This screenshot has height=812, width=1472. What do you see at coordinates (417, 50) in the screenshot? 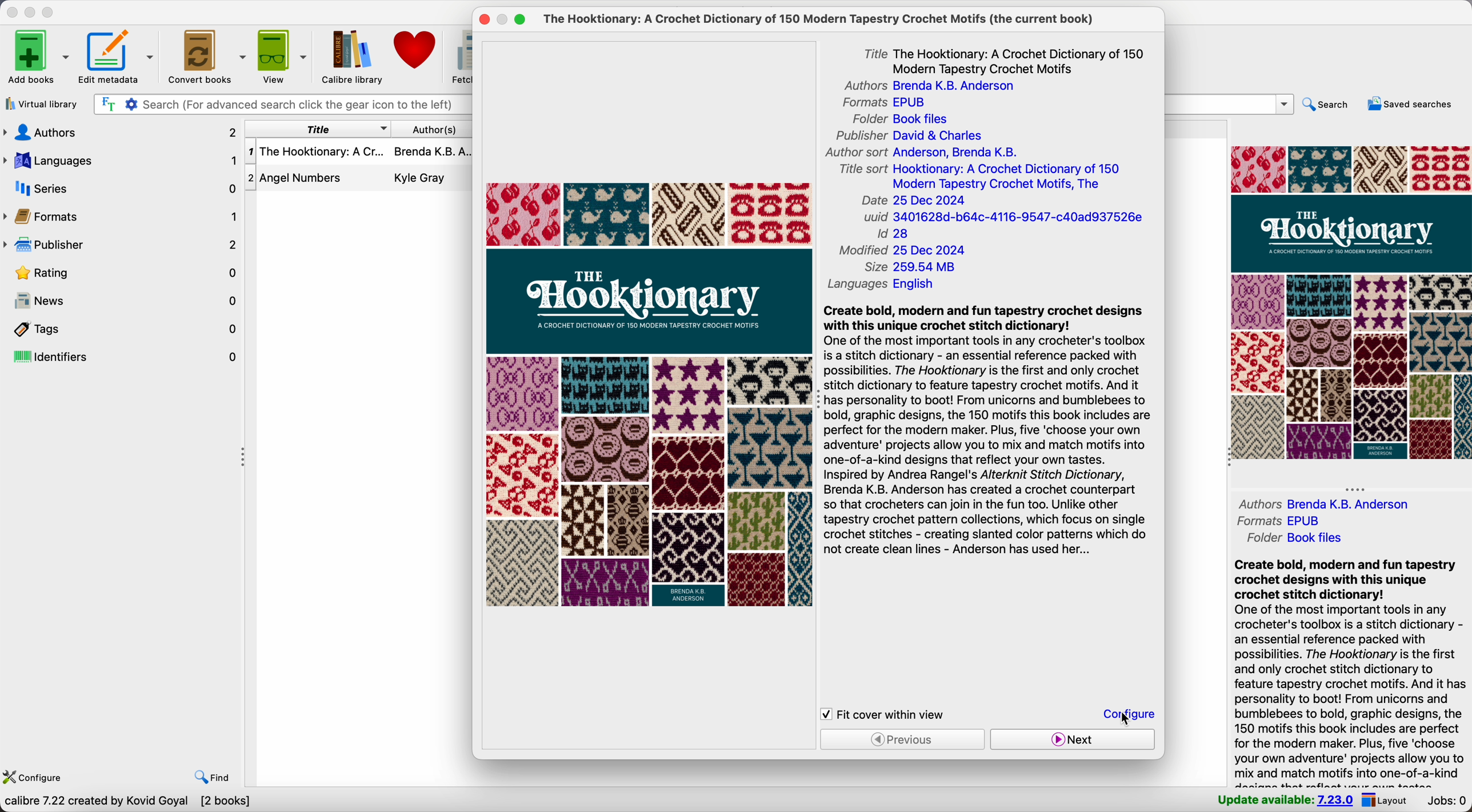
I see `donate` at bounding box center [417, 50].